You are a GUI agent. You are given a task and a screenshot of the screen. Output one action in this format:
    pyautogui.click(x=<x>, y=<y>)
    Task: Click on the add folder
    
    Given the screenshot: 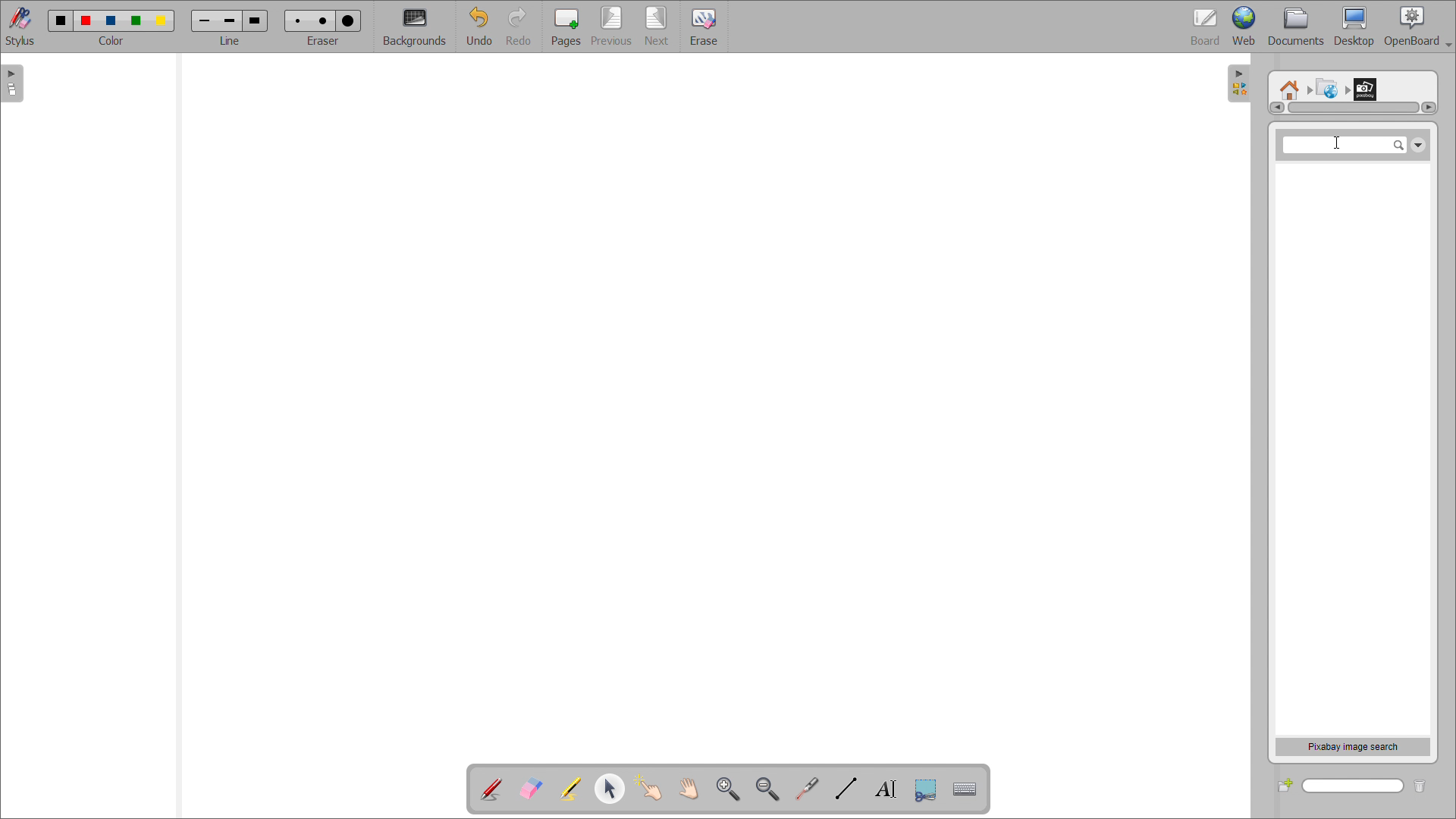 What is the action you would take?
    pyautogui.click(x=1285, y=785)
    